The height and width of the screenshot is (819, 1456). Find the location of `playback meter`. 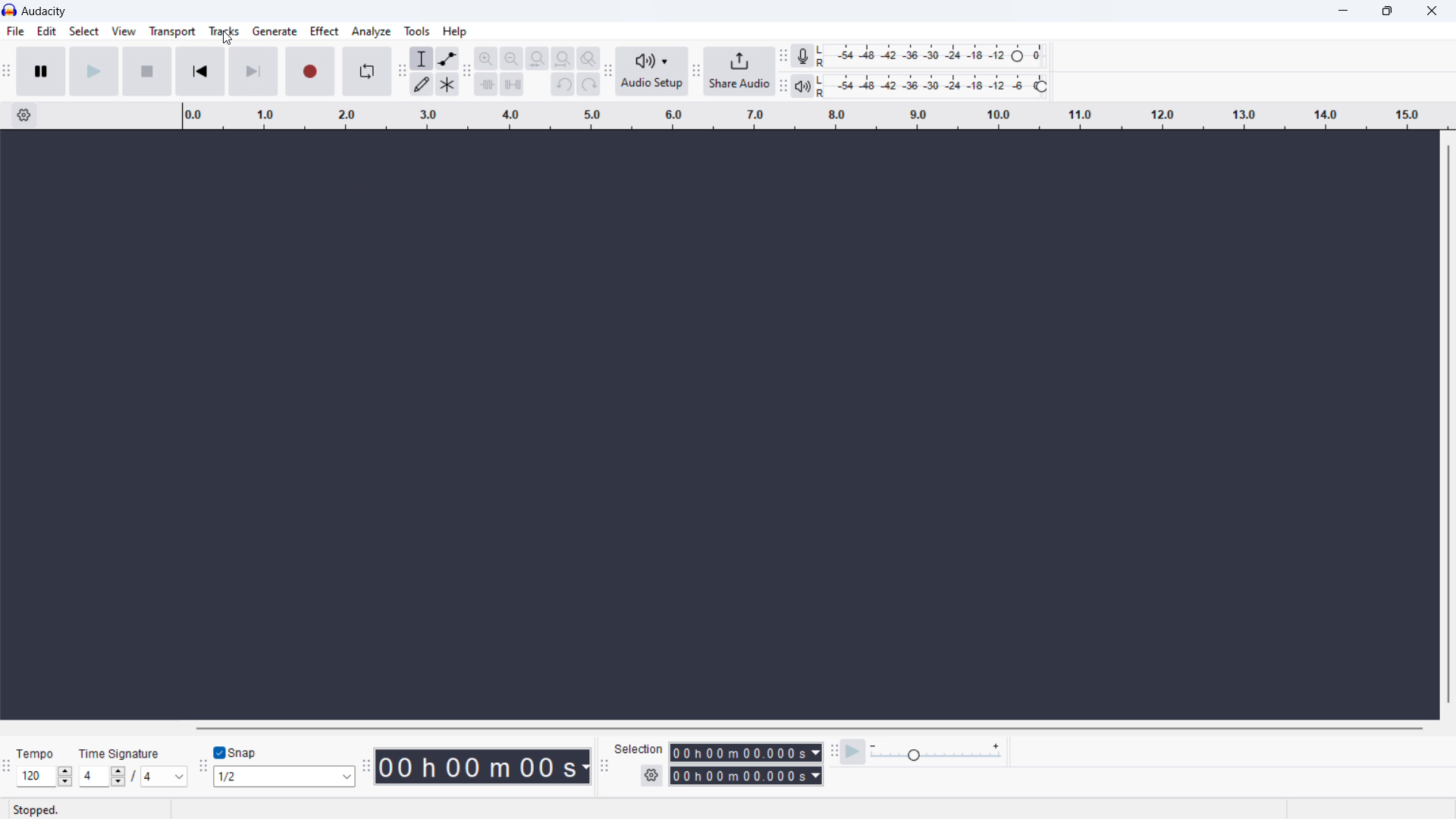

playback meter is located at coordinates (802, 86).